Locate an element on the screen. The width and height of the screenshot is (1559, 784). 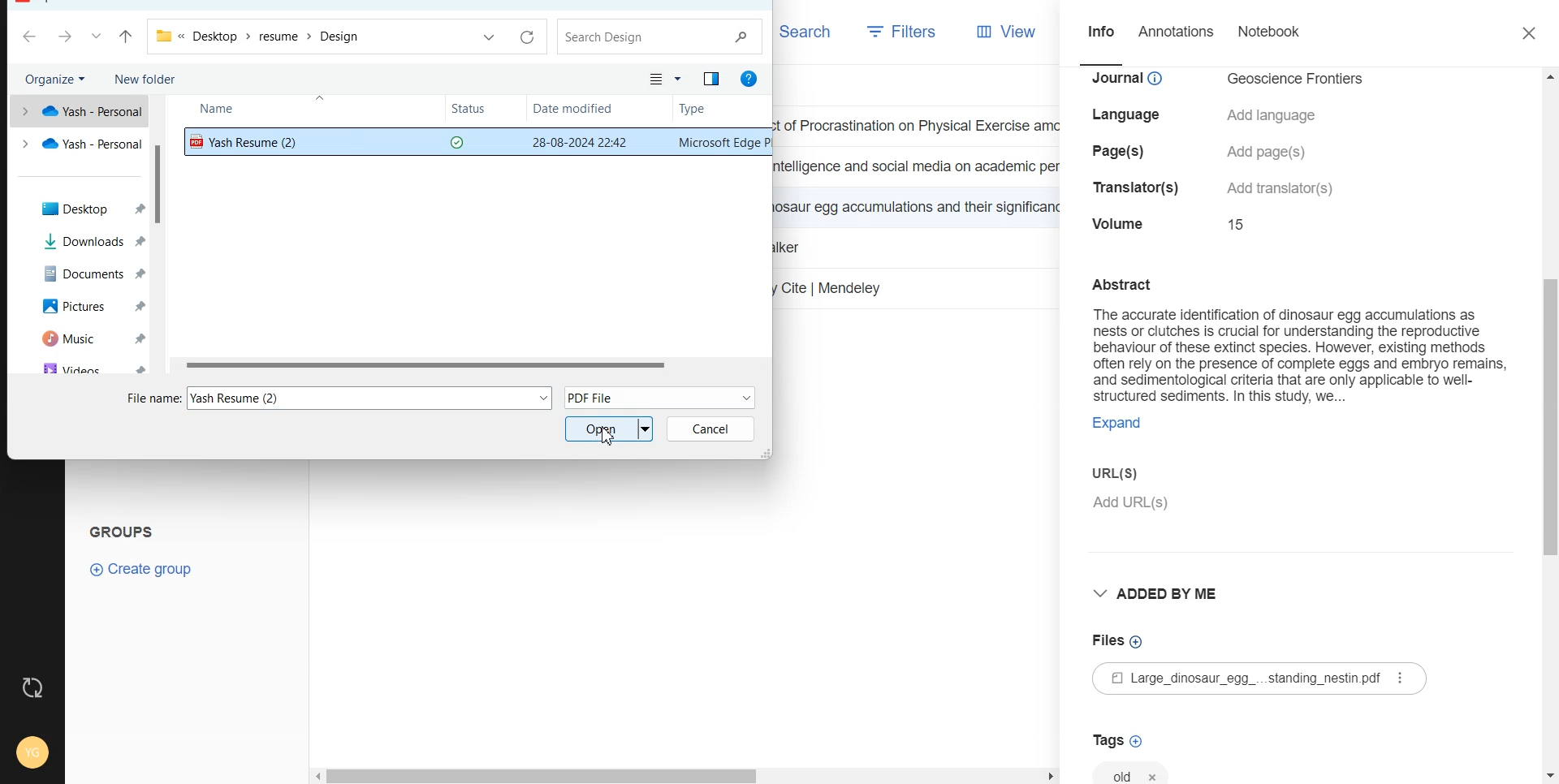
Cancel is located at coordinates (710, 429).